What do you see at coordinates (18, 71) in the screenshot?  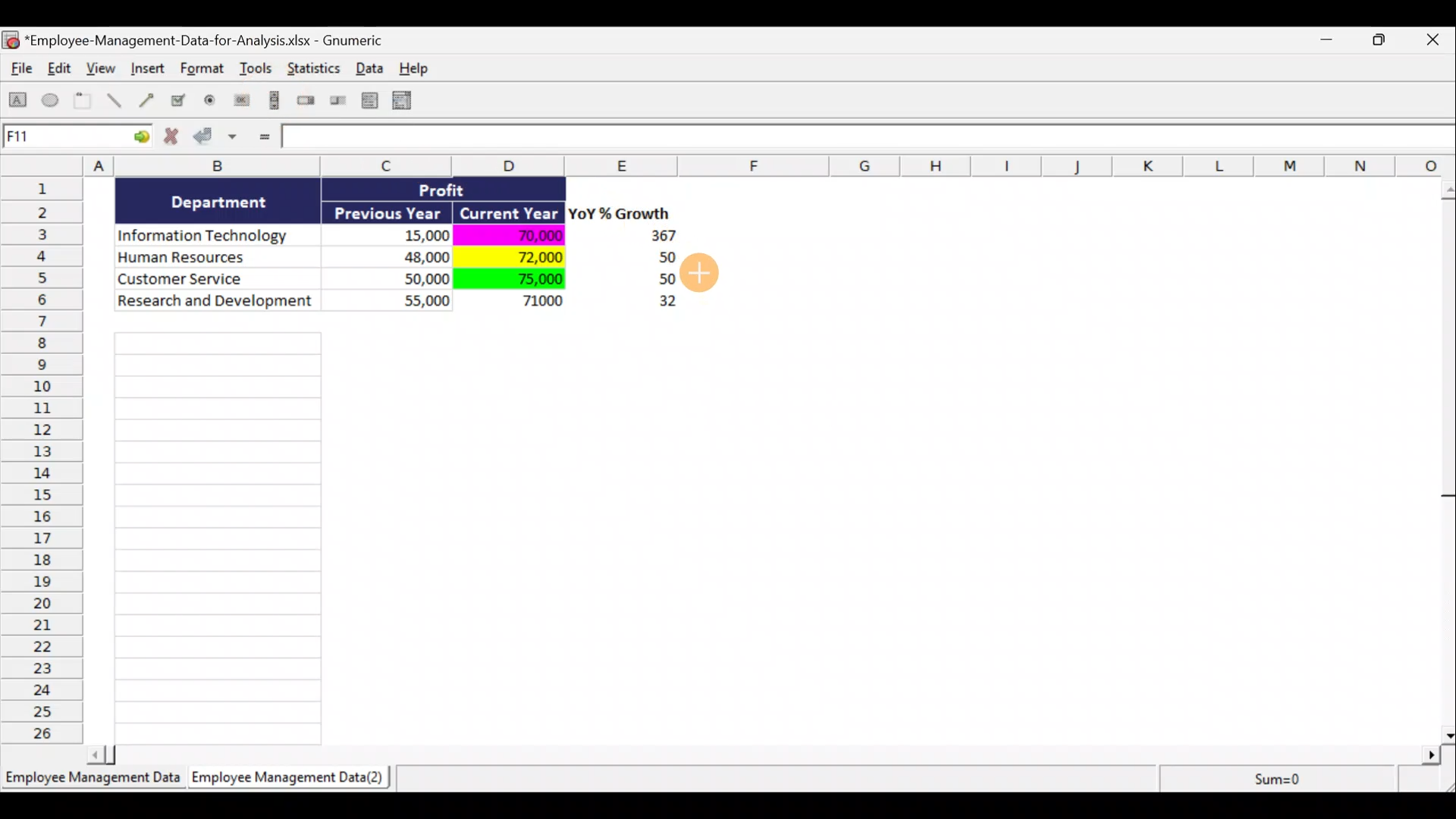 I see `File` at bounding box center [18, 71].